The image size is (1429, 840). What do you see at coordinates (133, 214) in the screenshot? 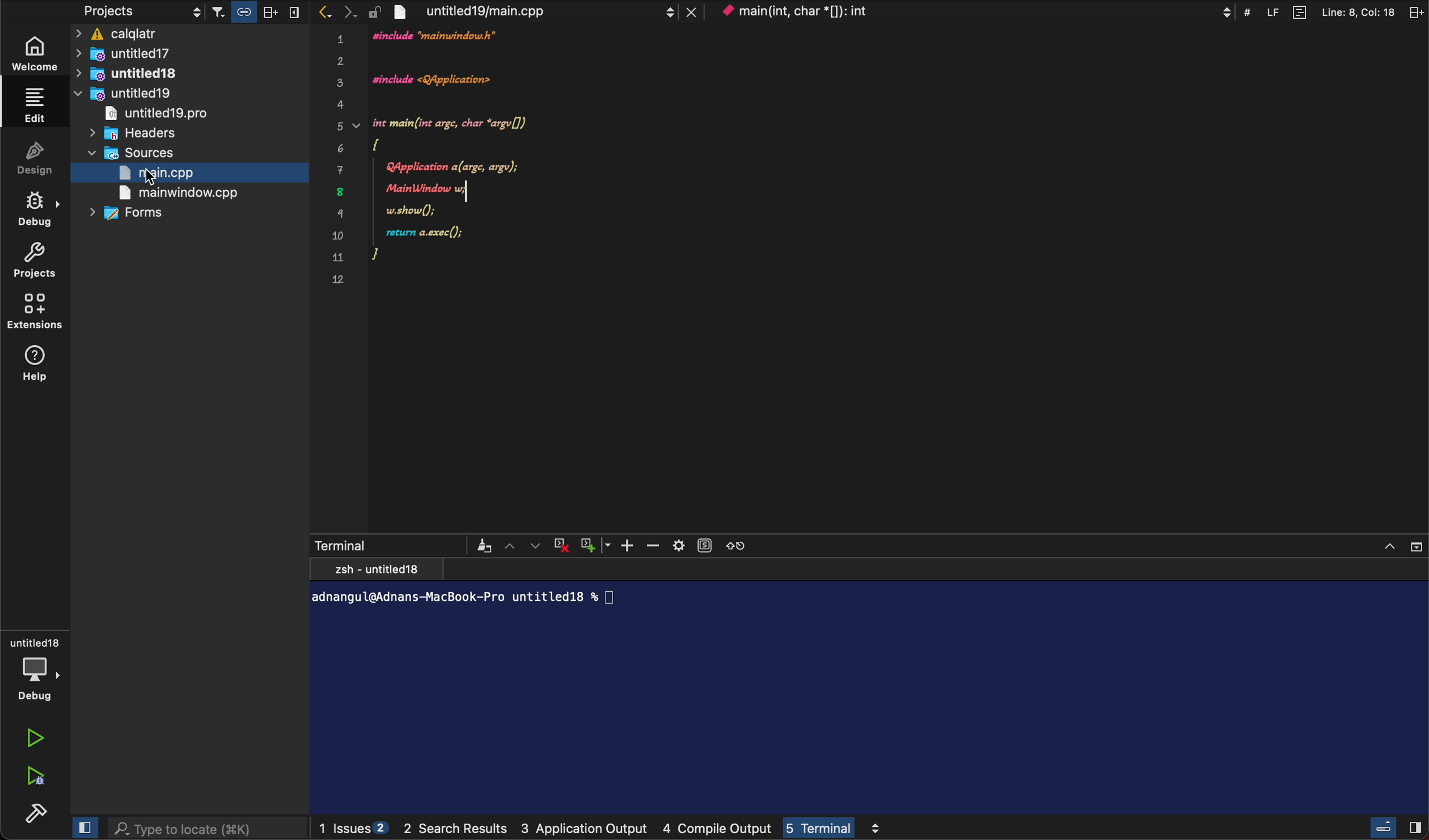
I see `forms` at bounding box center [133, 214].